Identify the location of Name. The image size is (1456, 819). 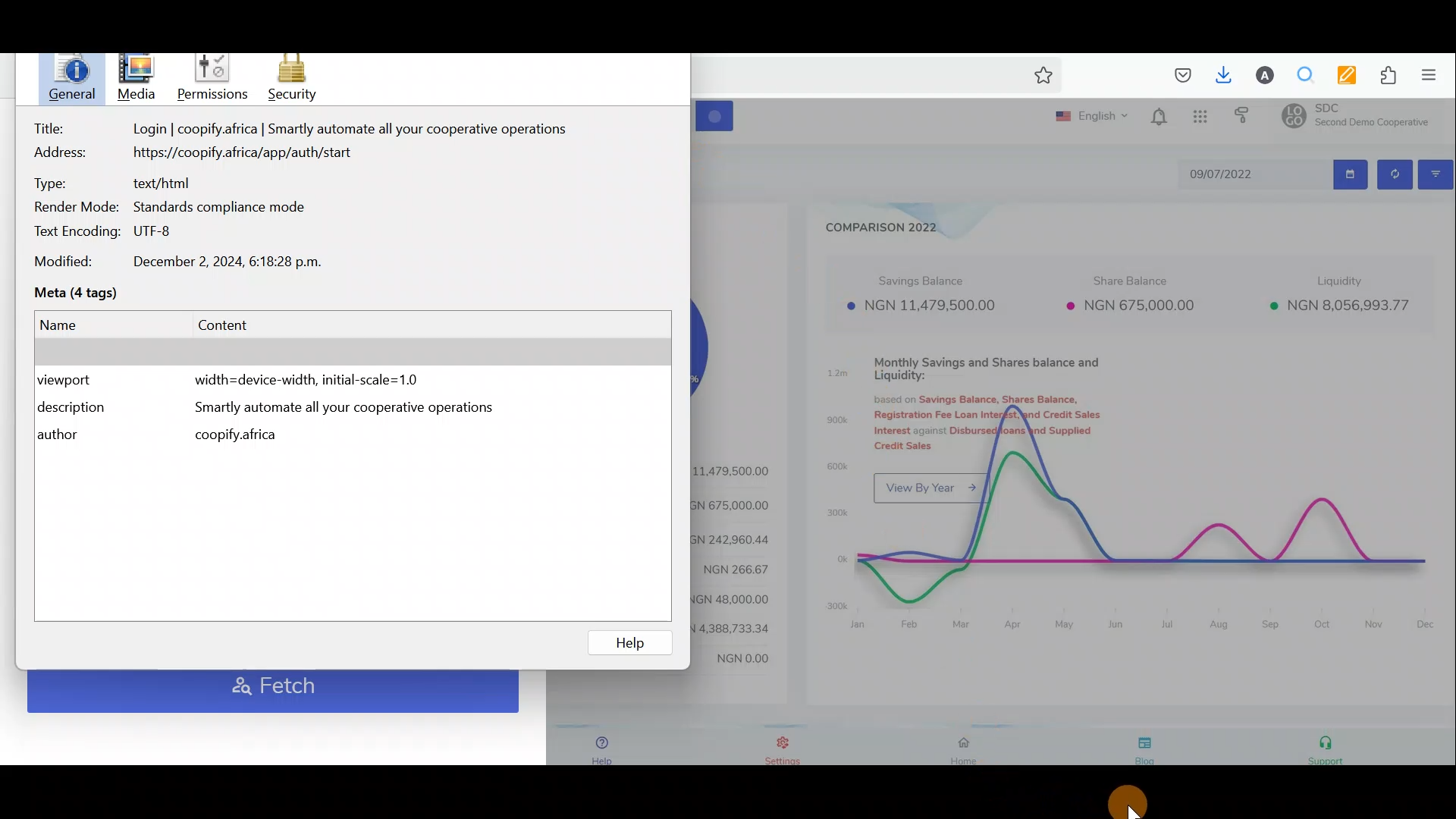
(79, 323).